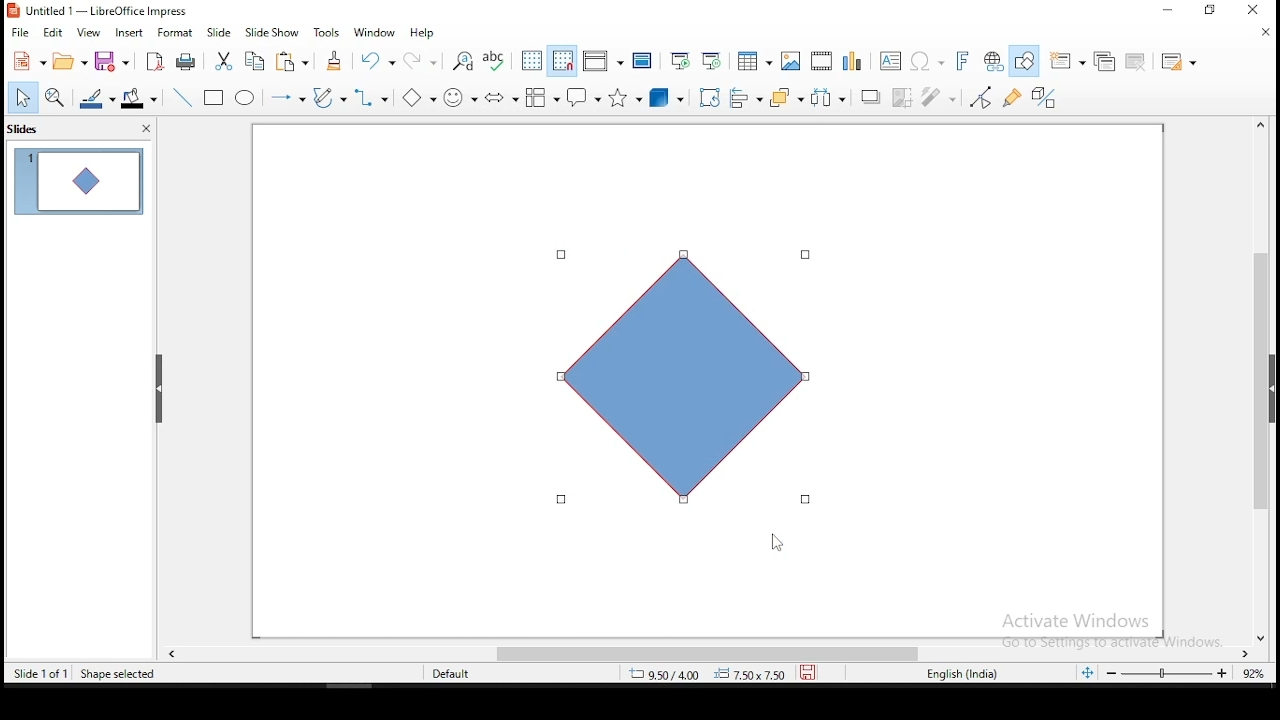 This screenshot has width=1280, height=720. I want to click on paste, so click(295, 63).